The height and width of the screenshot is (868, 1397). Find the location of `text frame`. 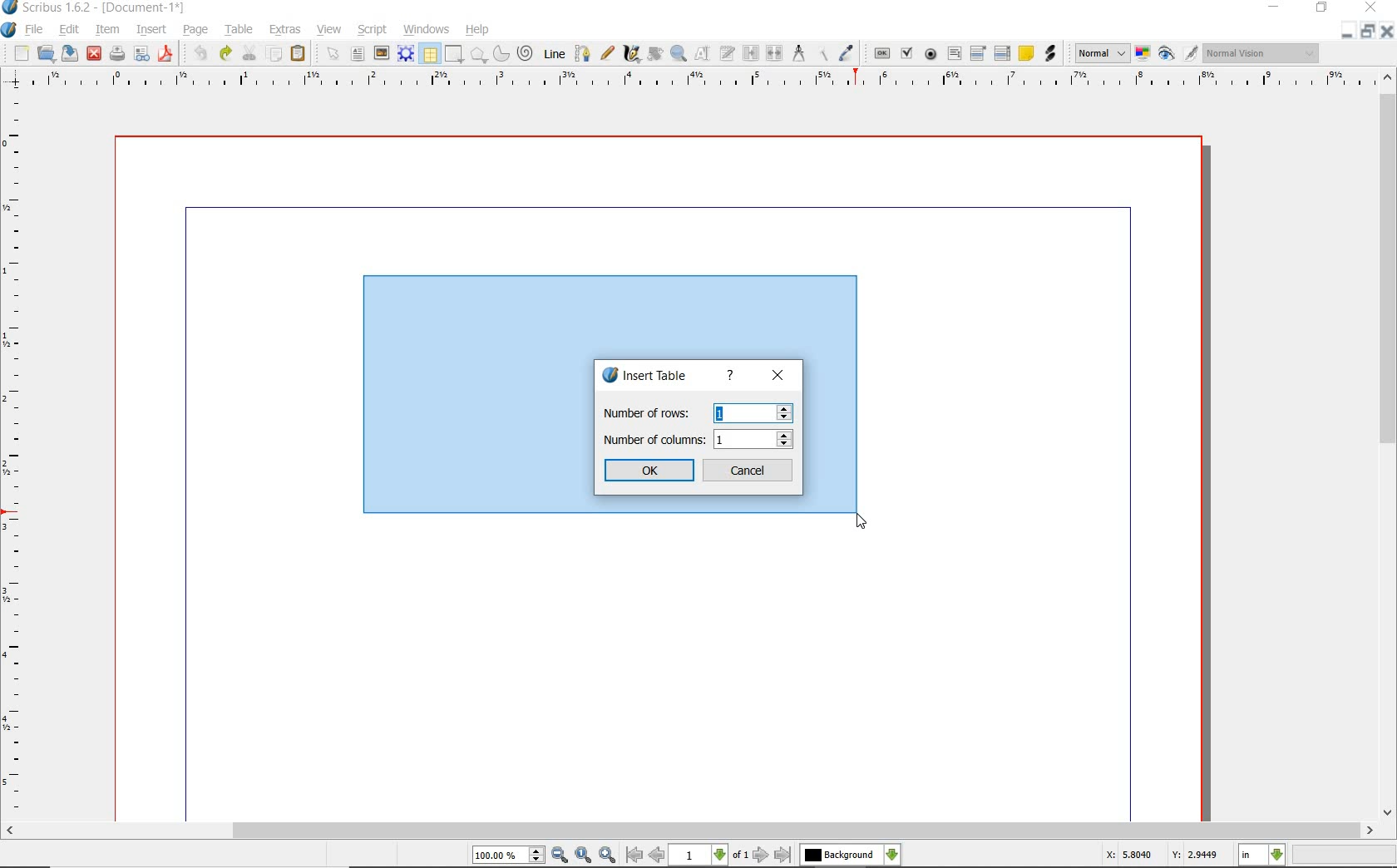

text frame is located at coordinates (358, 56).